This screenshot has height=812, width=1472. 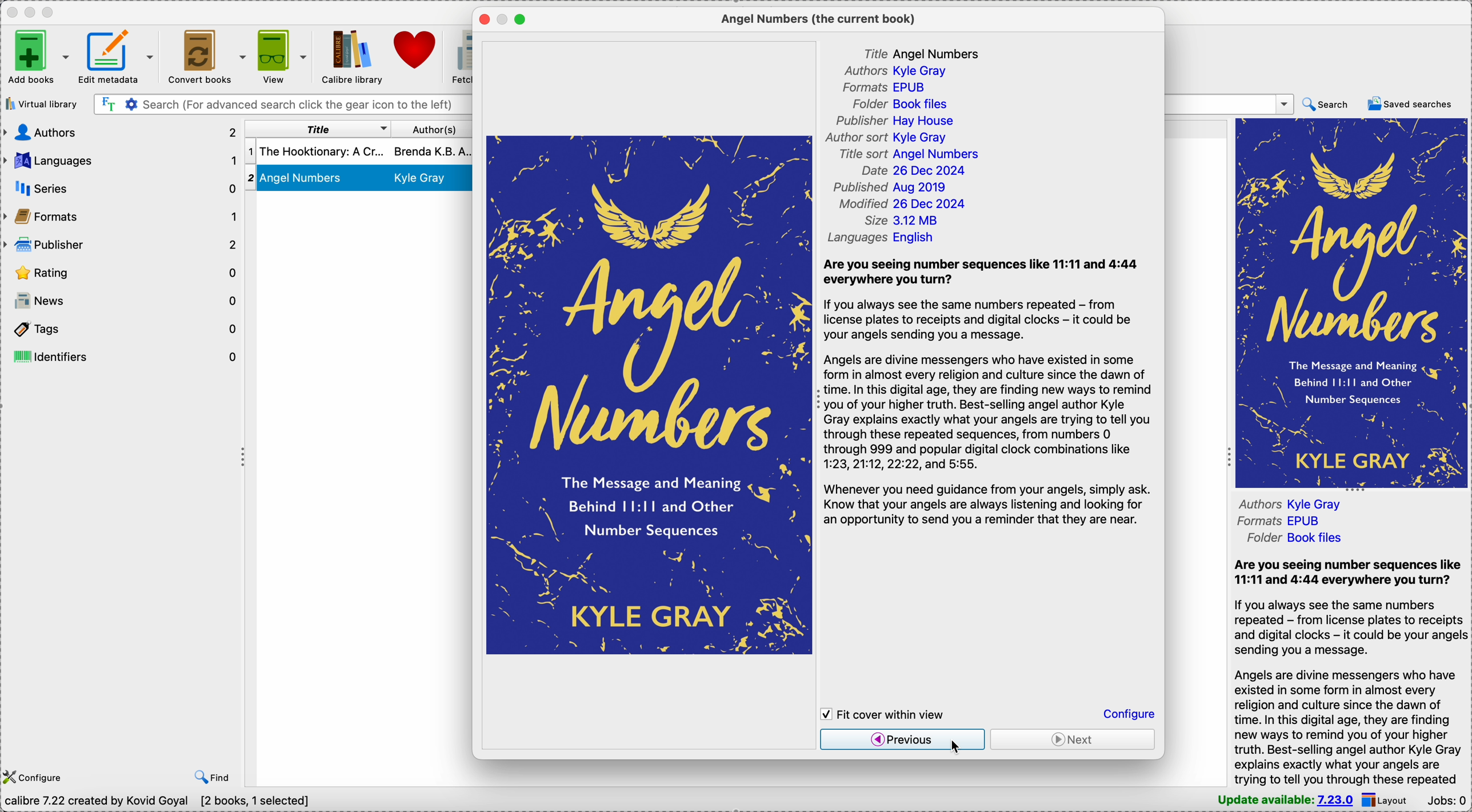 I want to click on title, so click(x=320, y=128).